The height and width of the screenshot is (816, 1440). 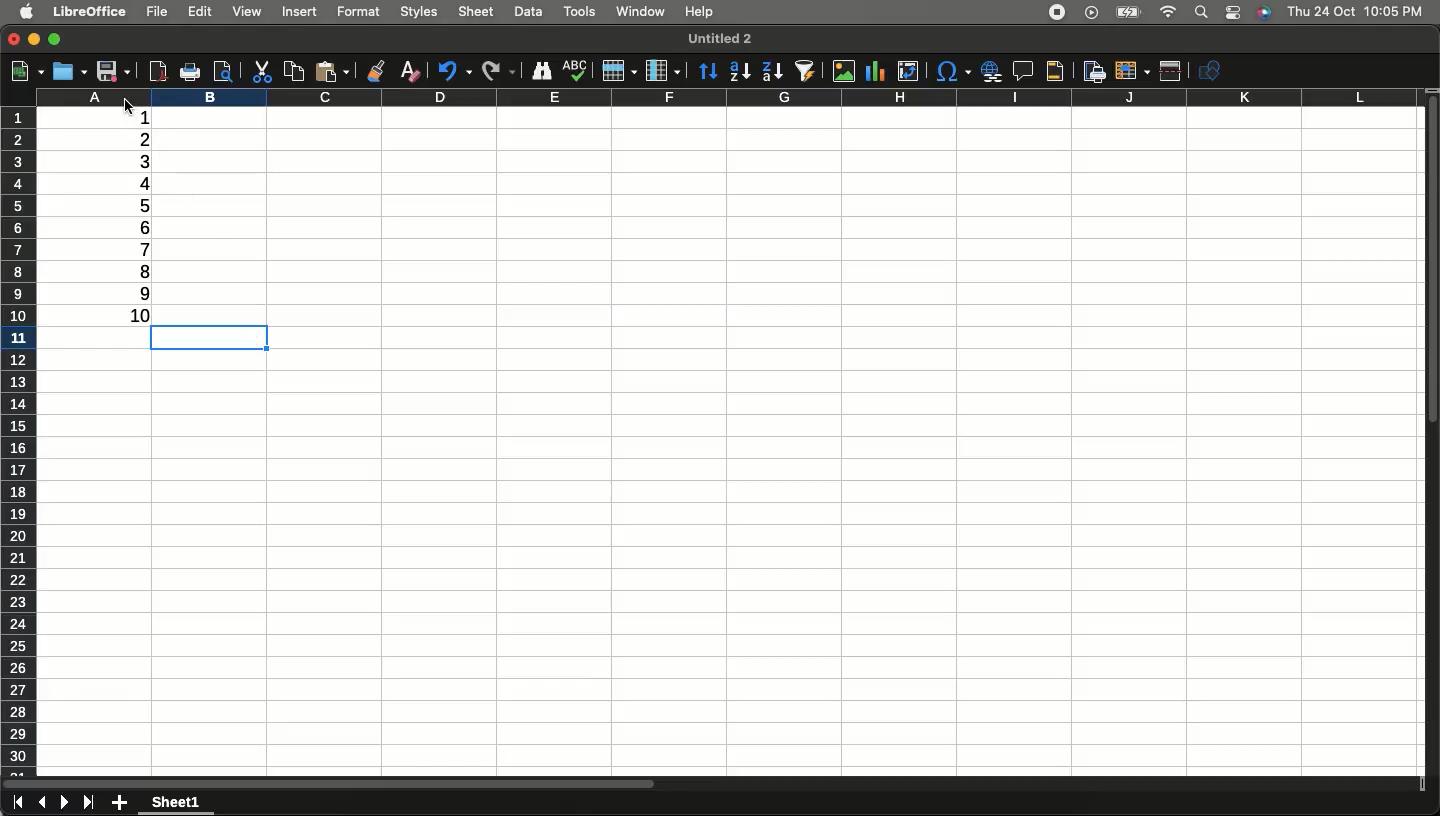 What do you see at coordinates (1200, 13) in the screenshot?
I see `Search` at bounding box center [1200, 13].